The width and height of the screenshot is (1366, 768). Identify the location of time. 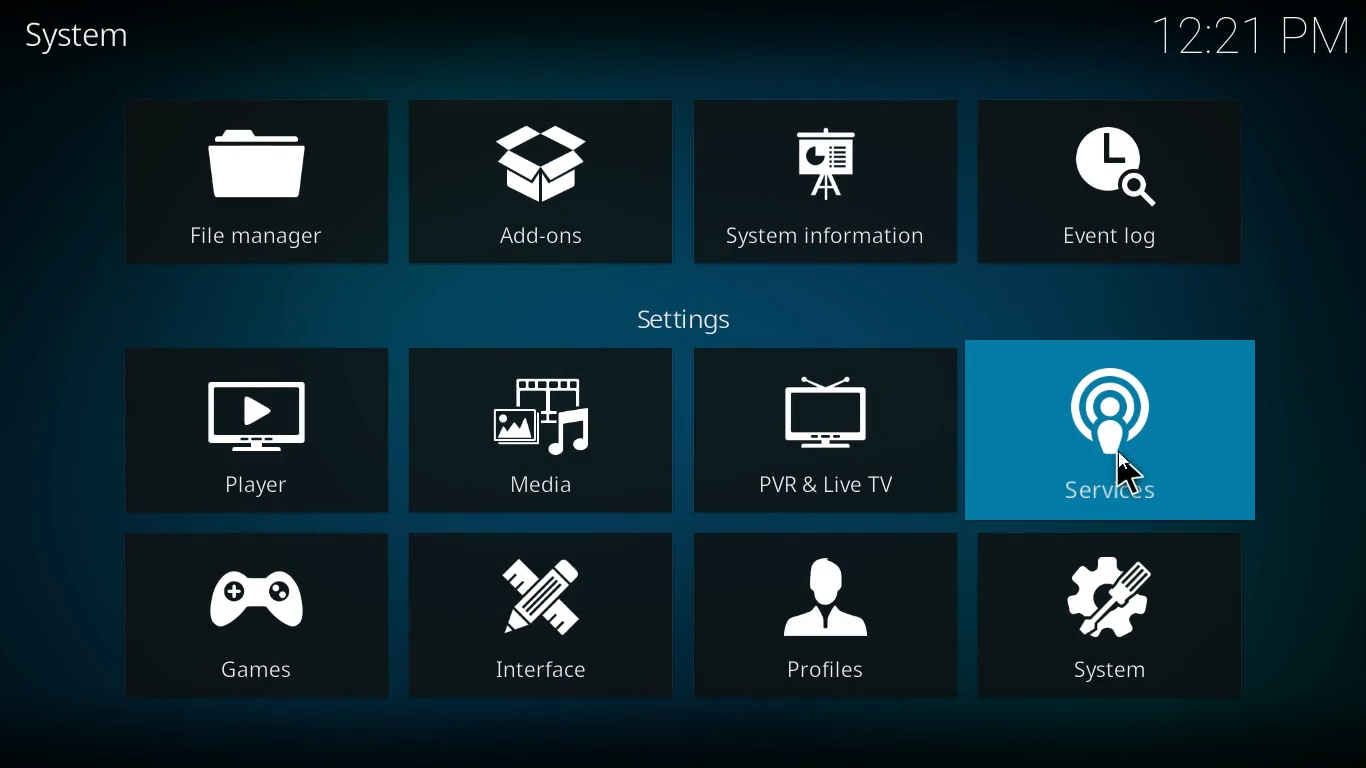
(1253, 36).